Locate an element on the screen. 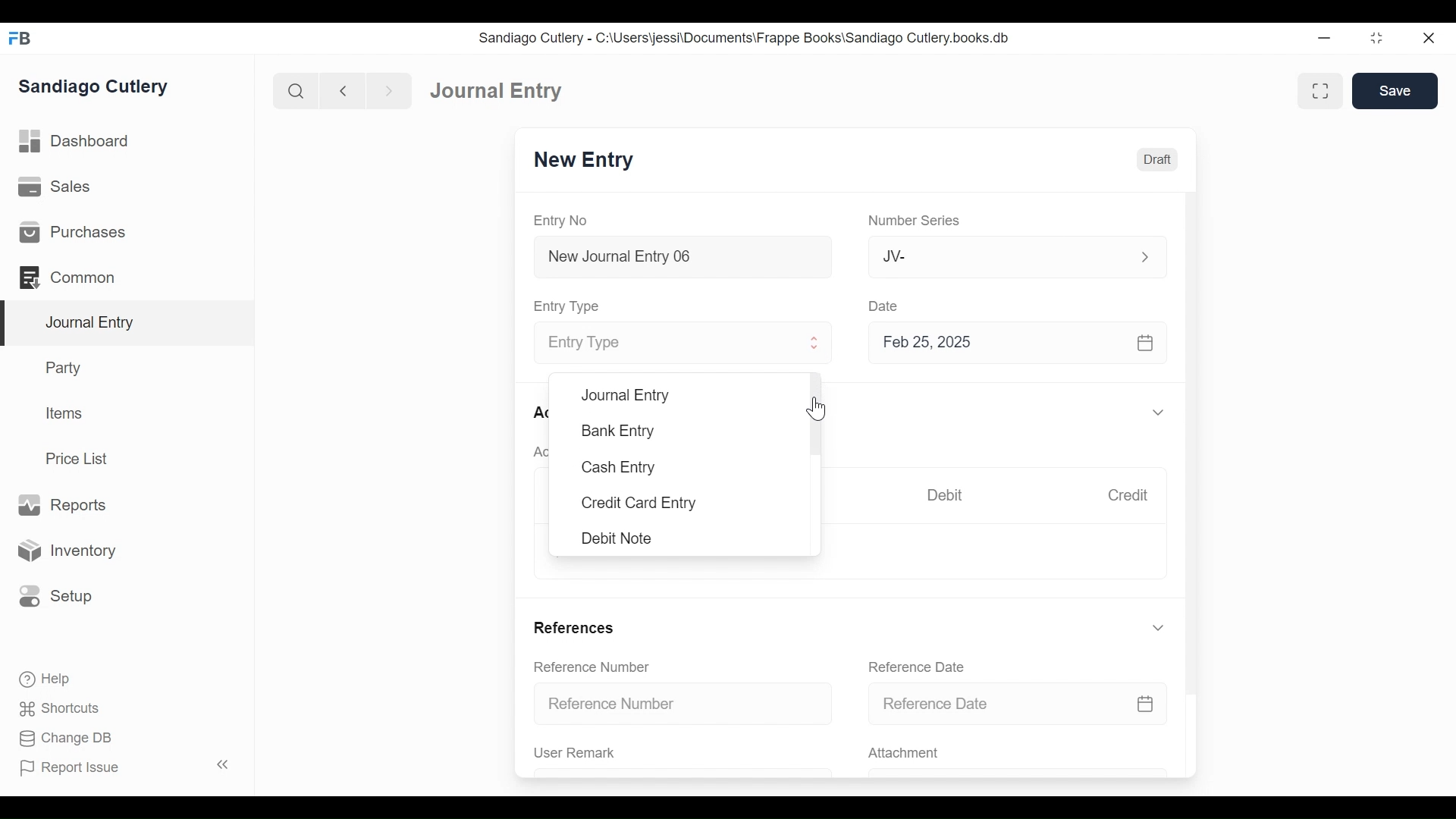 This screenshot has width=1456, height=819. Change DB is located at coordinates (68, 740).